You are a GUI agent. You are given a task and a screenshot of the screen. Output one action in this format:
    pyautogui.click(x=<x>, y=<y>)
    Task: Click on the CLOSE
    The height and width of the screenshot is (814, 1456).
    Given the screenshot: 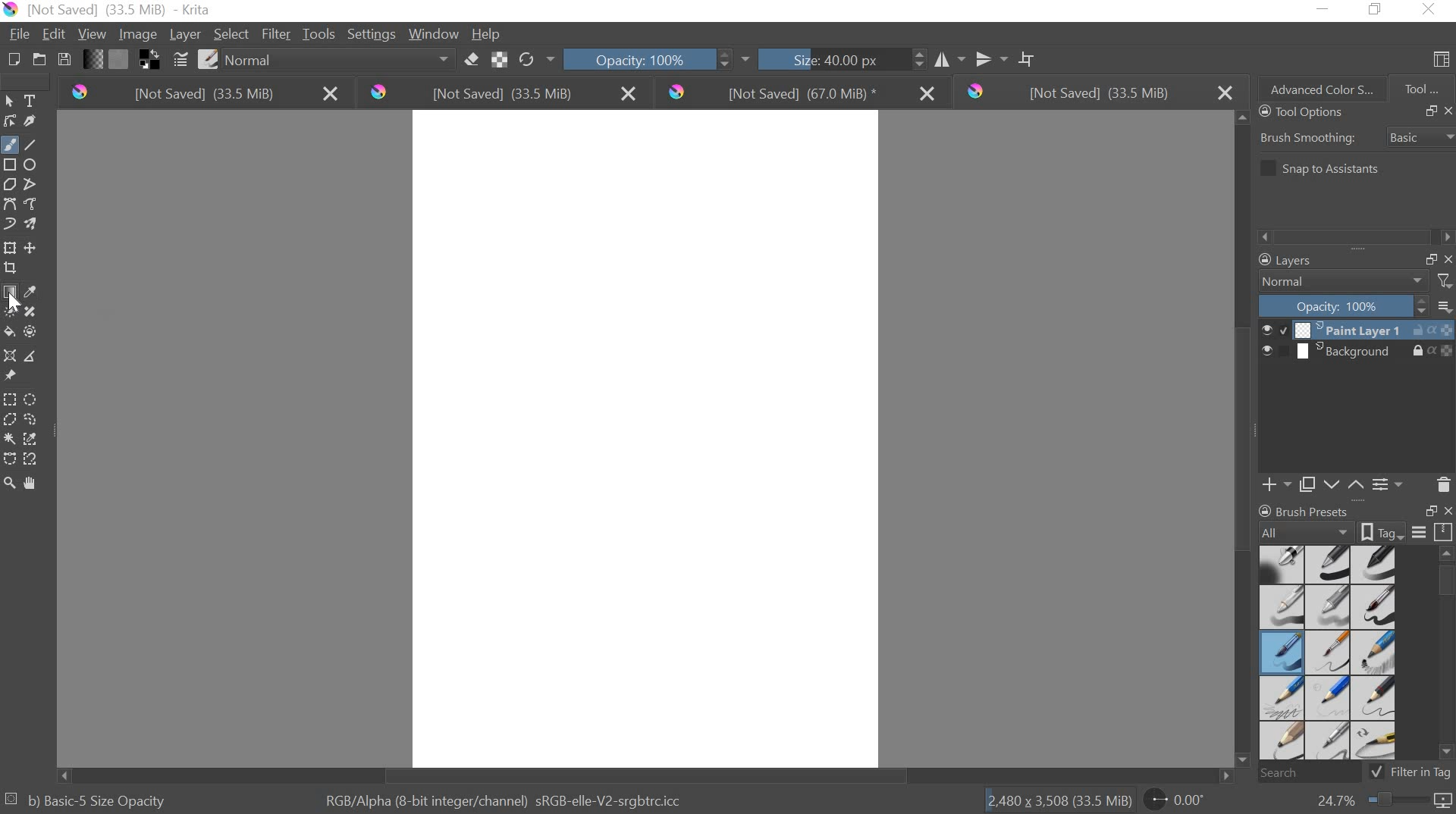 What is the action you would take?
    pyautogui.click(x=1447, y=258)
    